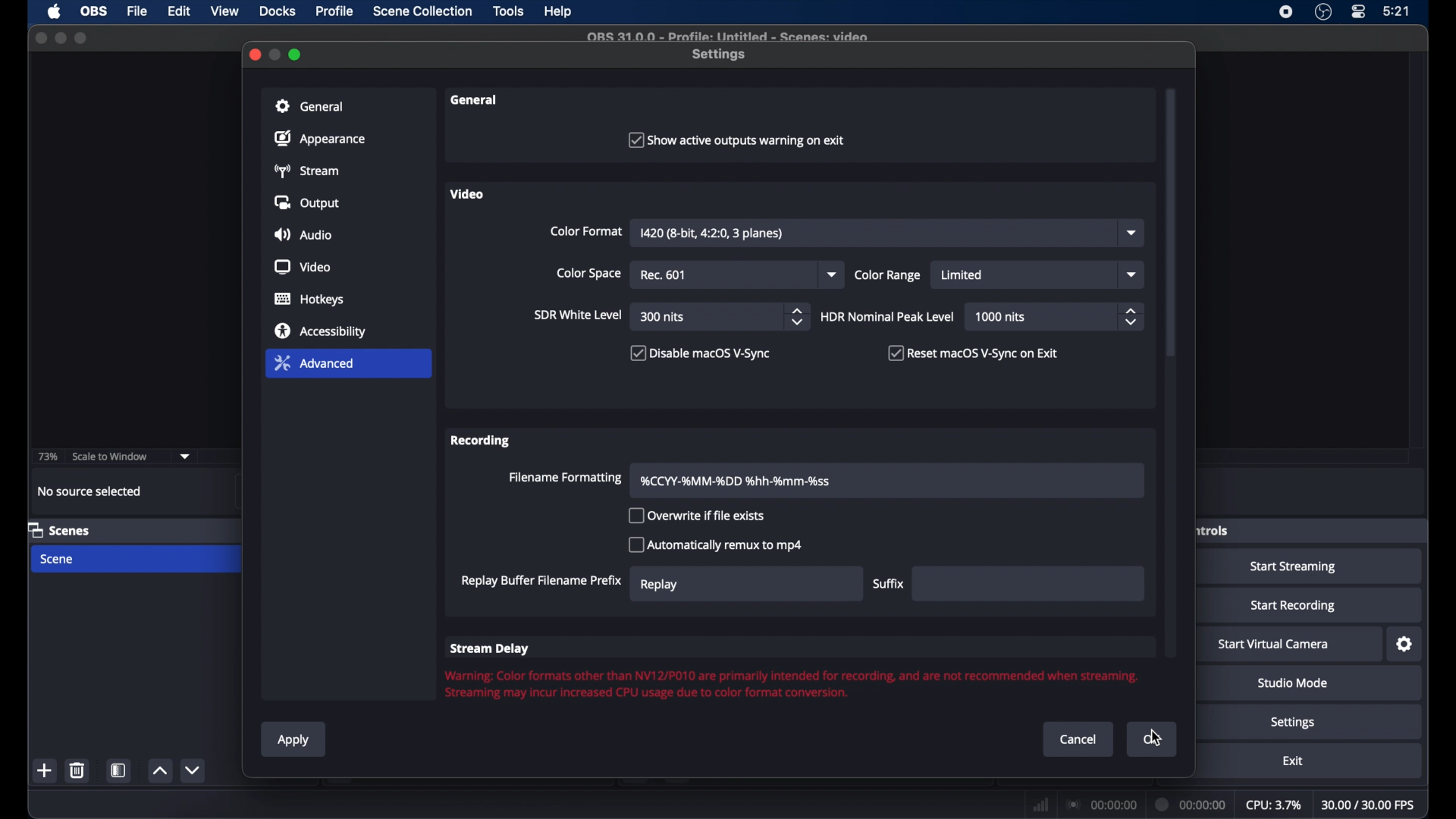 This screenshot has width=1456, height=819. Describe the element at coordinates (309, 171) in the screenshot. I see `stream` at that location.